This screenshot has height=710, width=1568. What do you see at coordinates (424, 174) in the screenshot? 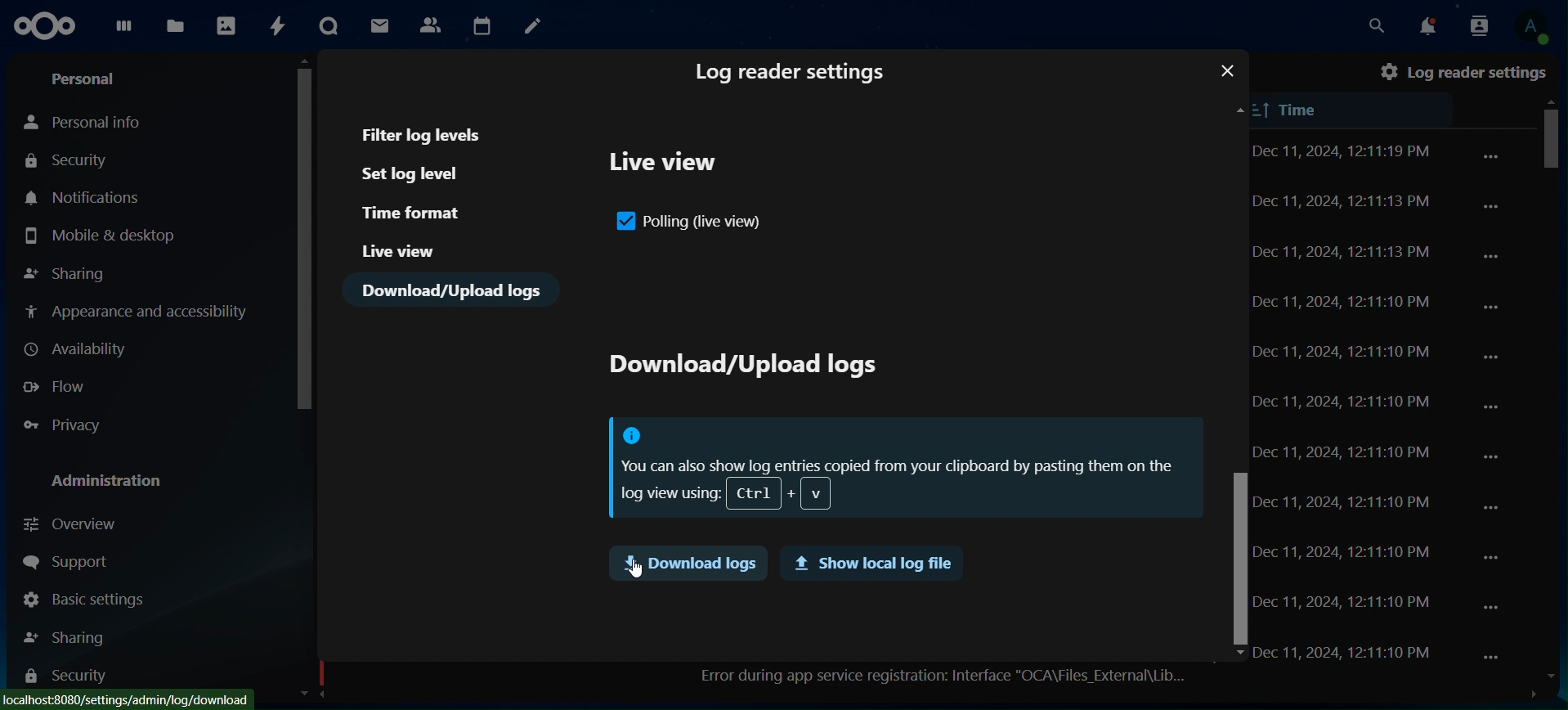
I see `set log level` at bounding box center [424, 174].